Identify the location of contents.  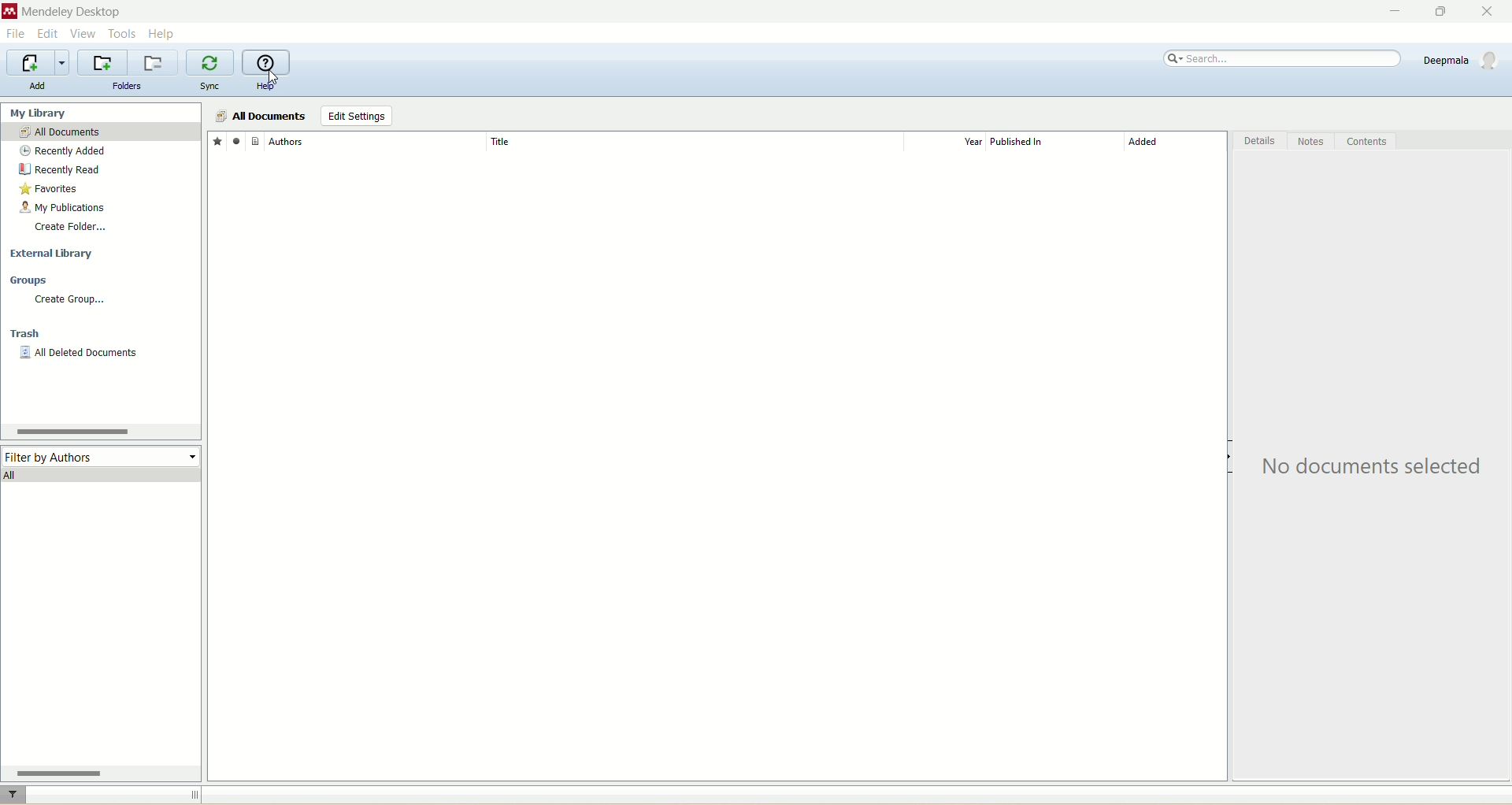
(1369, 141).